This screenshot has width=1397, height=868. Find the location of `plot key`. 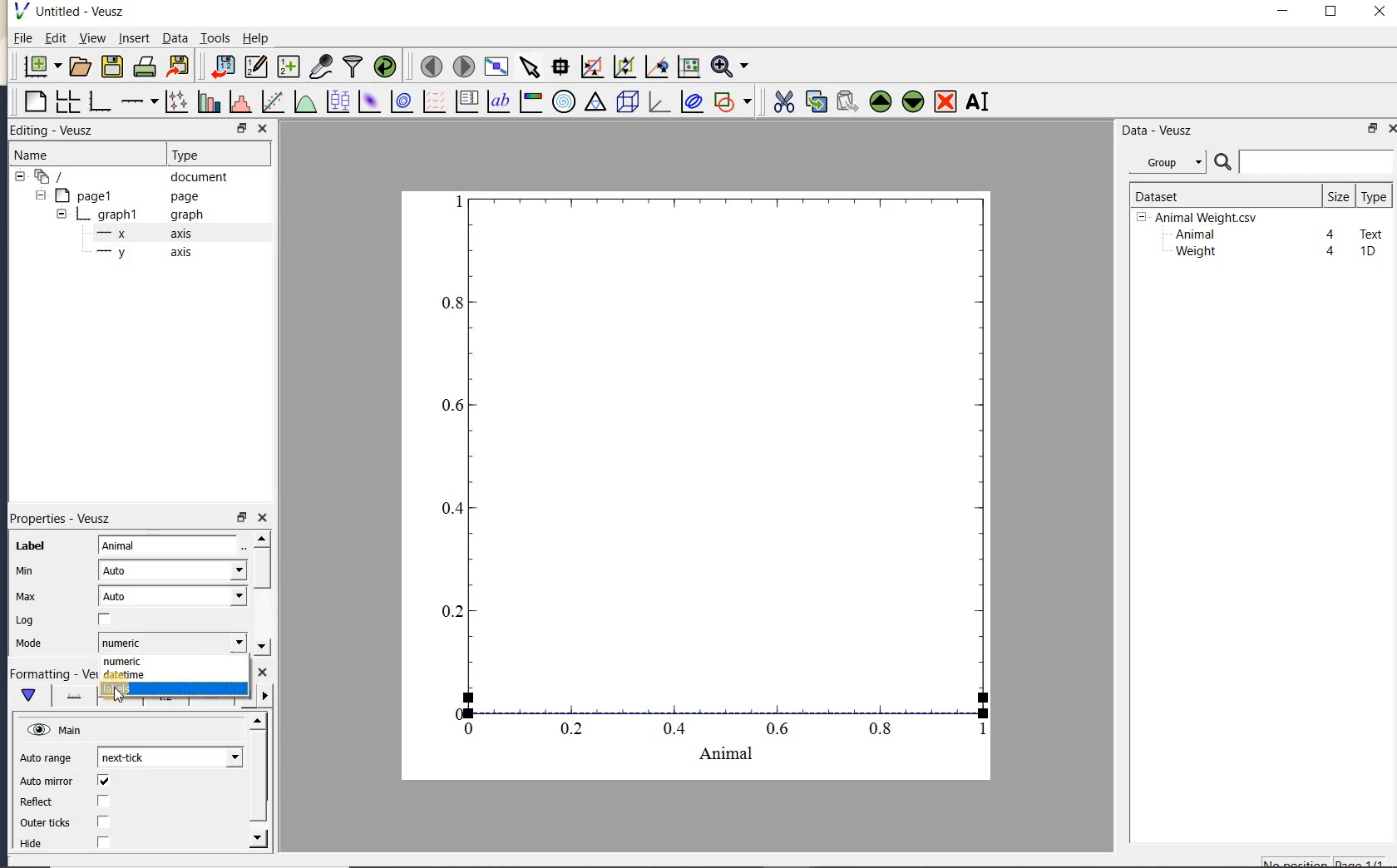

plot key is located at coordinates (465, 101).